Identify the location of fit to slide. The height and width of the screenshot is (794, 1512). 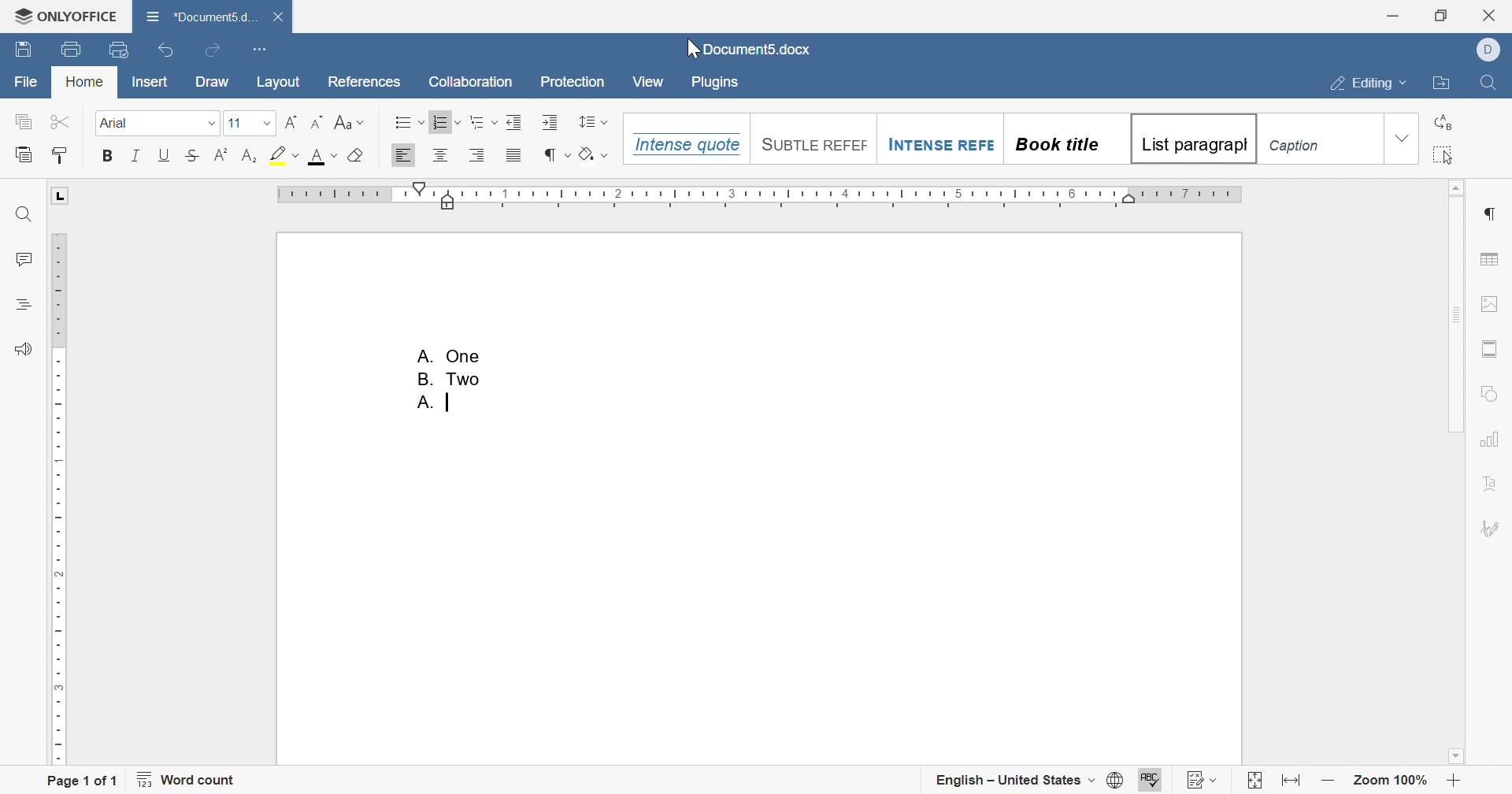
(1254, 781).